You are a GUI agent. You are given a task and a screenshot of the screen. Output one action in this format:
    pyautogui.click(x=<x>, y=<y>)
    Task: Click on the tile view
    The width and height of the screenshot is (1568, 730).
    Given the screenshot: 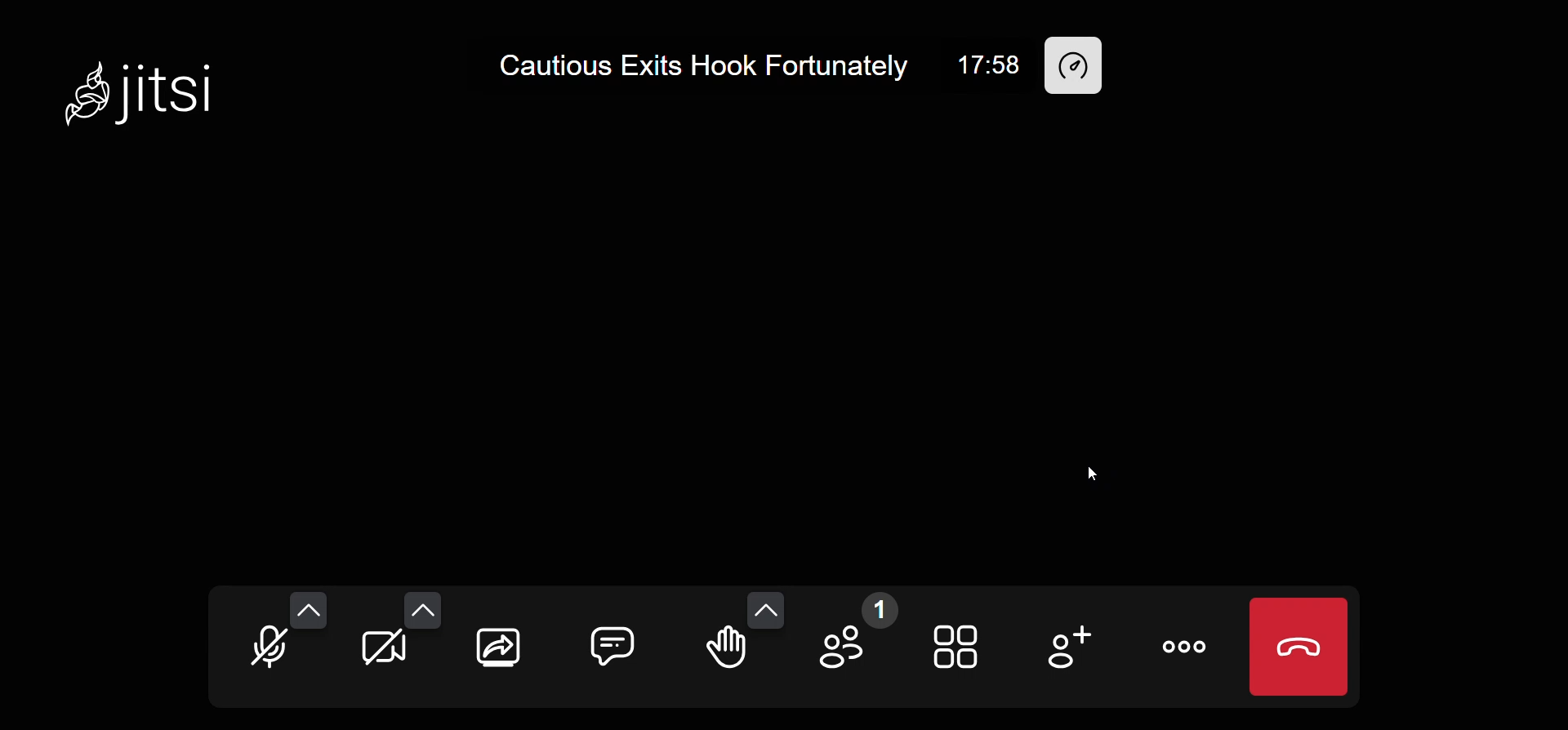 What is the action you would take?
    pyautogui.click(x=965, y=650)
    